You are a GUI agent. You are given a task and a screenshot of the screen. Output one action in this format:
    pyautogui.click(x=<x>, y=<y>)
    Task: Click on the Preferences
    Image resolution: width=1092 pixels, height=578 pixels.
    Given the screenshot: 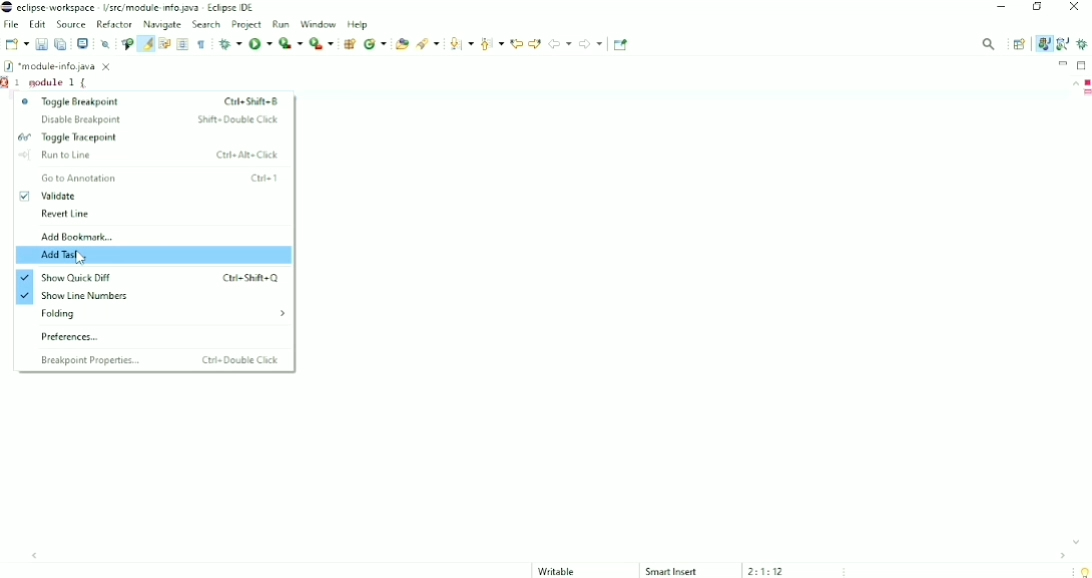 What is the action you would take?
    pyautogui.click(x=76, y=337)
    